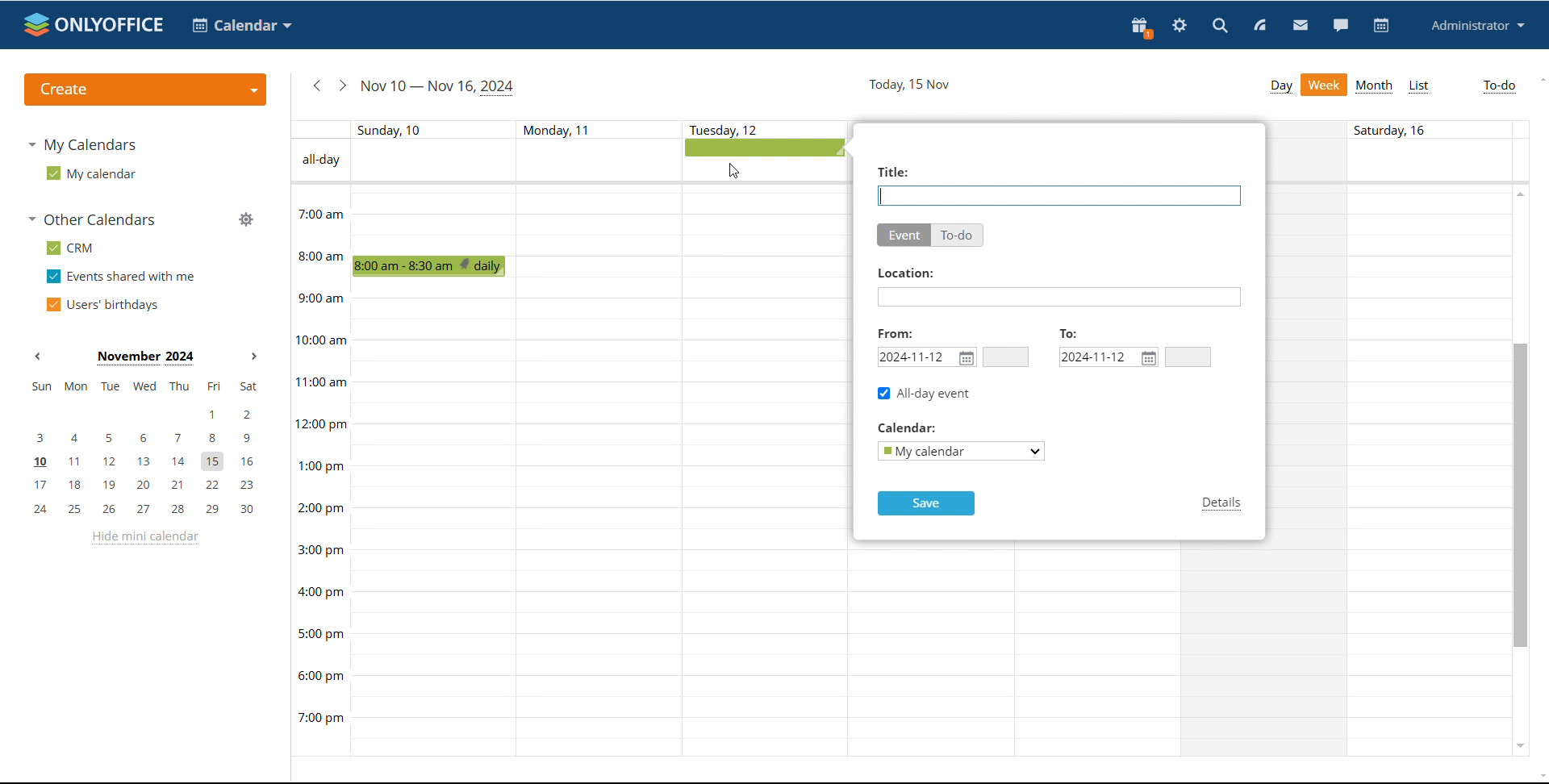 The width and height of the screenshot is (1549, 784). Describe the element at coordinates (91, 173) in the screenshot. I see `my calendar` at that location.